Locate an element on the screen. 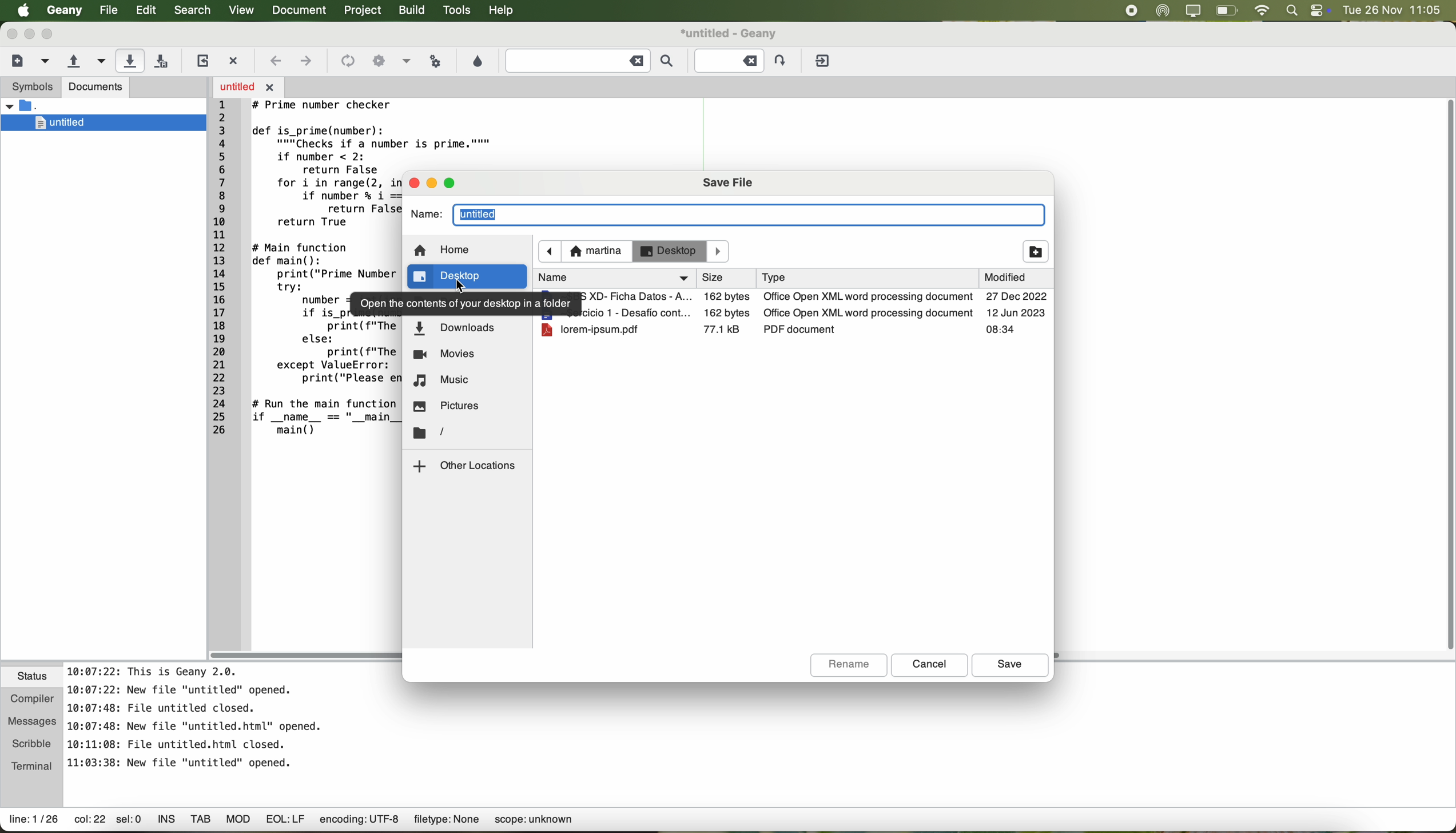  find the entered text in the current file is located at coordinates (590, 62).